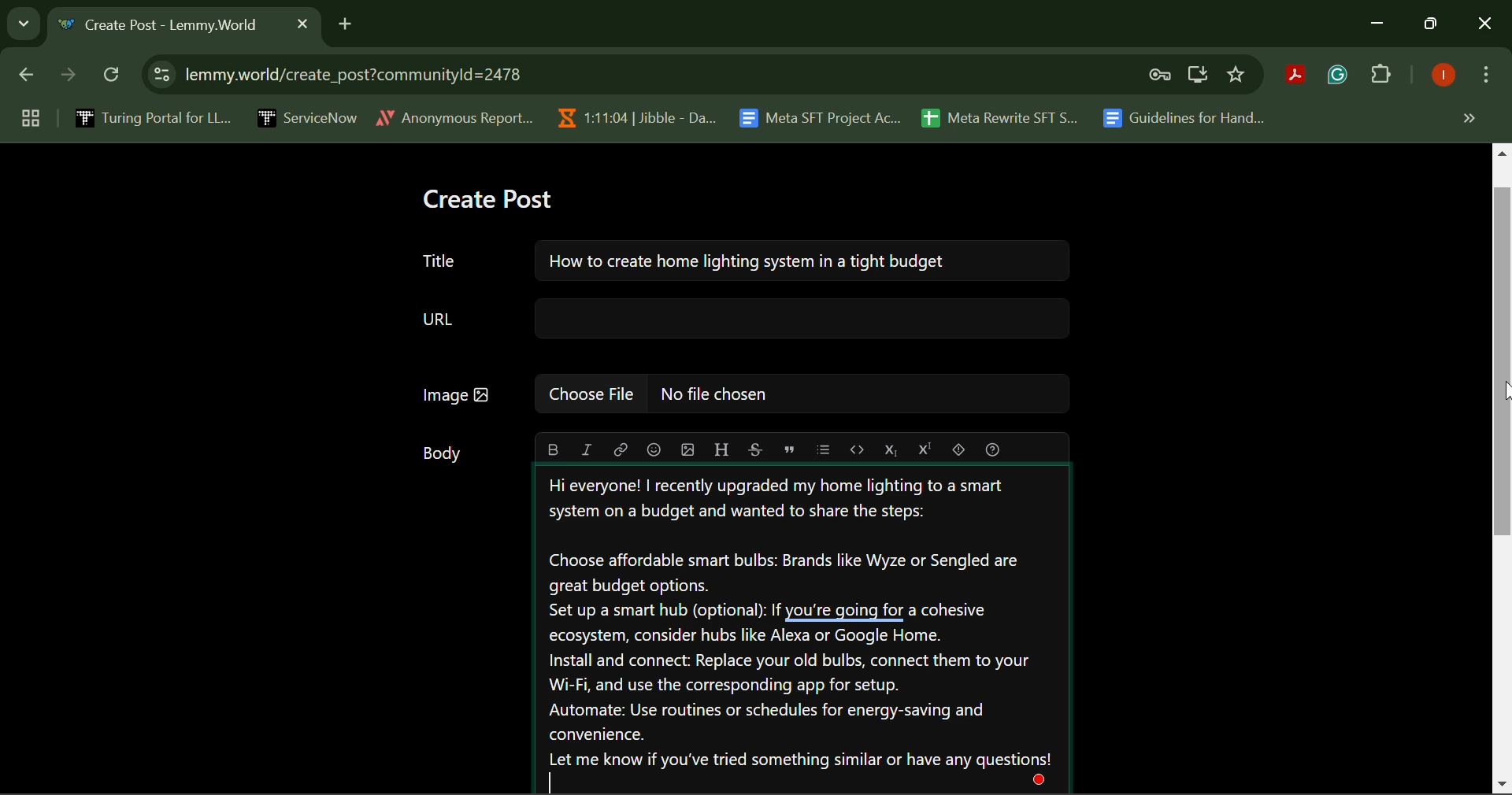  Describe the element at coordinates (1299, 76) in the screenshot. I see `Browser Extension` at that location.